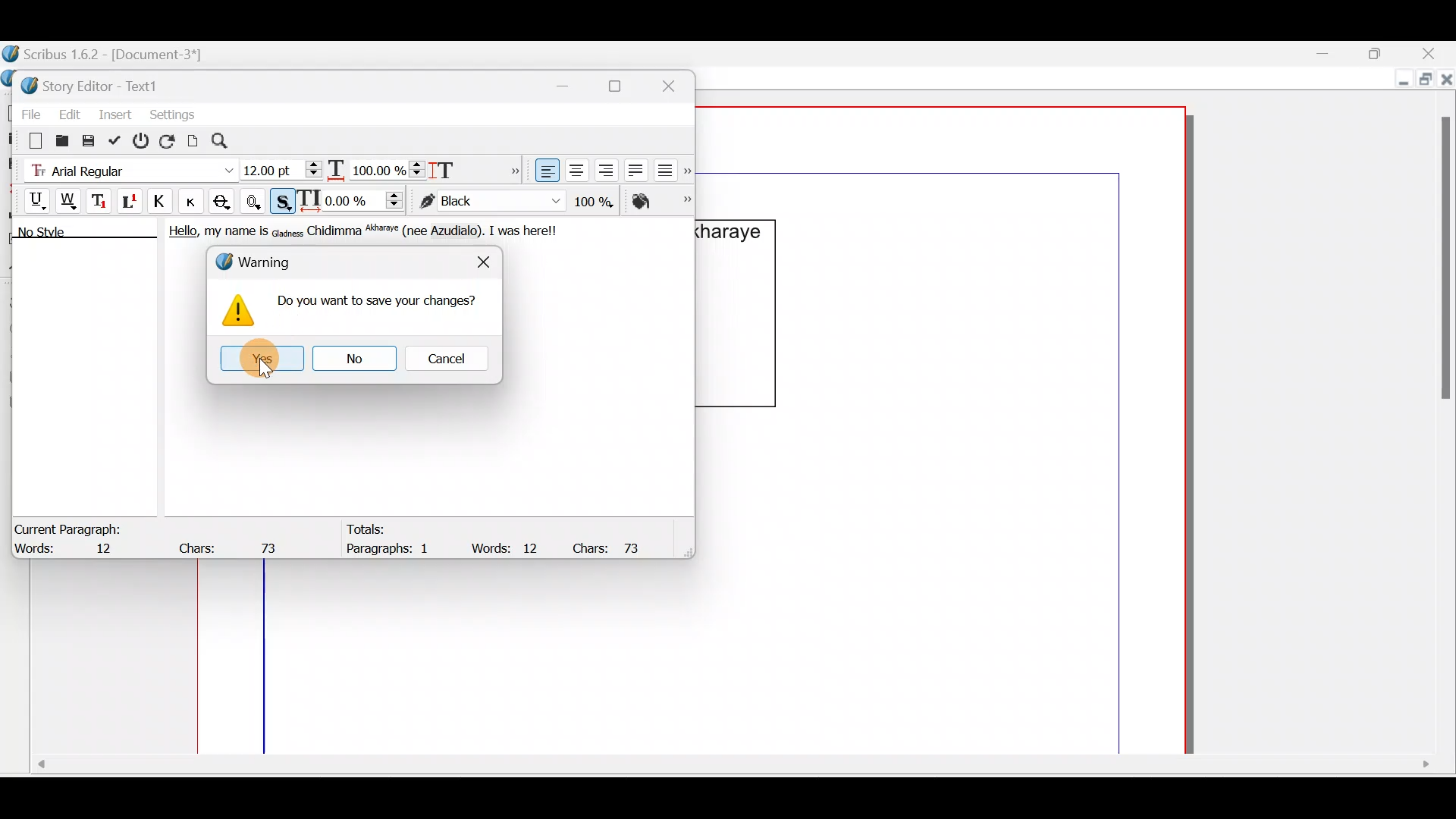 This screenshot has width=1456, height=819. I want to click on Cancel, so click(447, 357).